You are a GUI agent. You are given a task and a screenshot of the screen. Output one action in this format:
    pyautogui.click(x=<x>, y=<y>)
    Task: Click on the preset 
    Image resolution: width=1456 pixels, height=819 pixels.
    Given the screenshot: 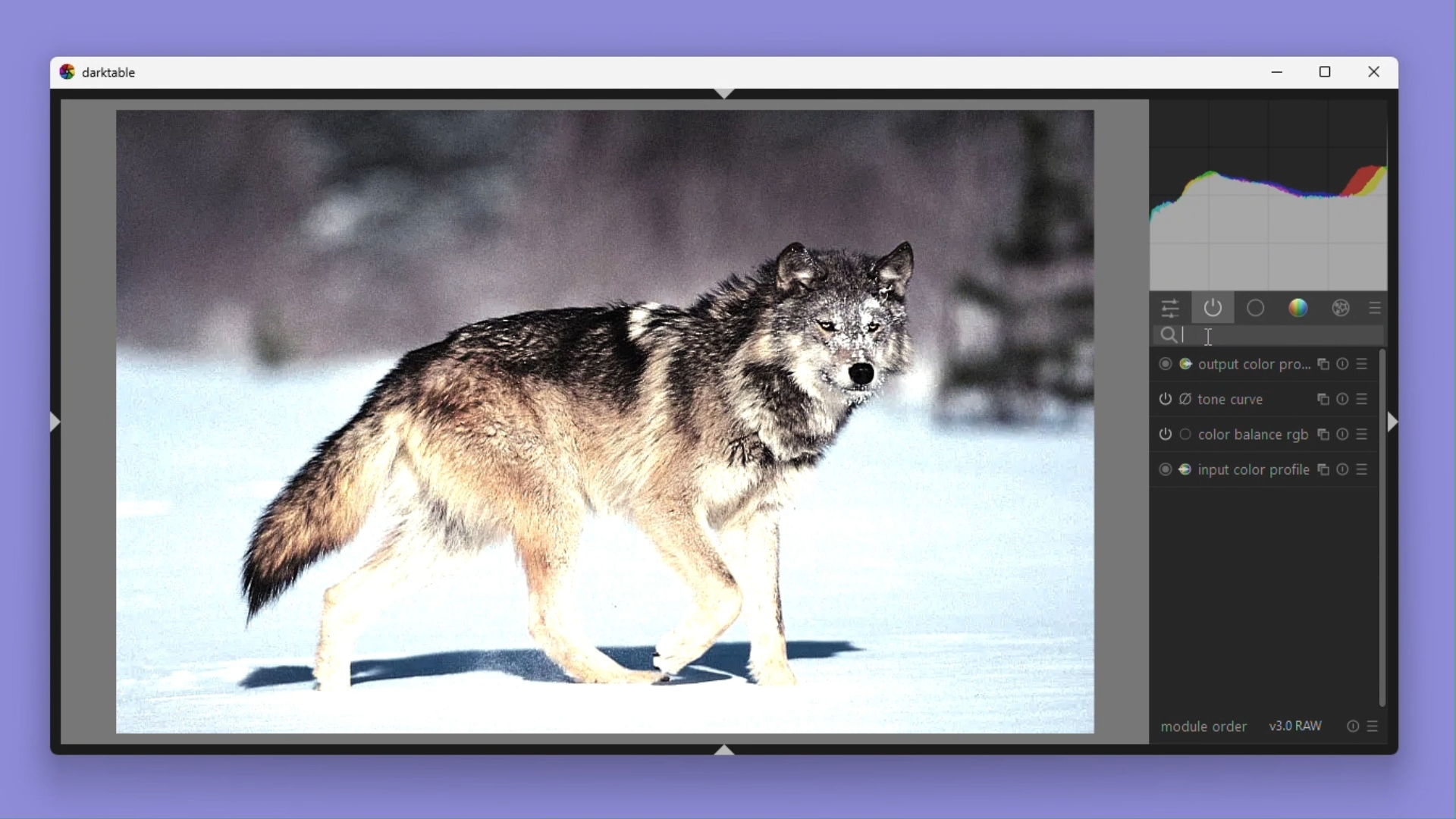 What is the action you would take?
    pyautogui.click(x=1374, y=725)
    